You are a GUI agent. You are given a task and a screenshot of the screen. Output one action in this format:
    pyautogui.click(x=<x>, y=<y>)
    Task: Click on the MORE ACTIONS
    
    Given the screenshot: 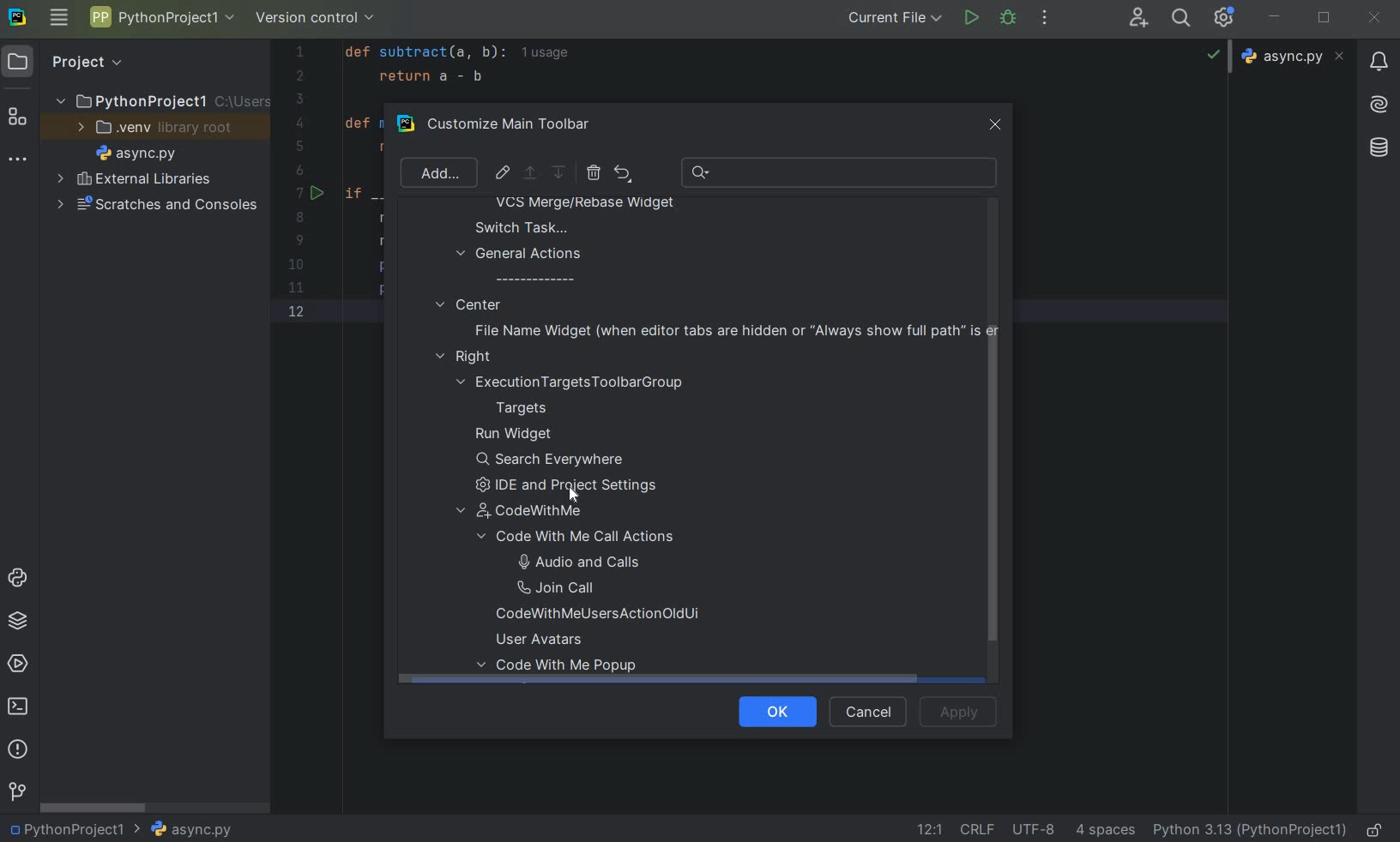 What is the action you would take?
    pyautogui.click(x=1046, y=18)
    